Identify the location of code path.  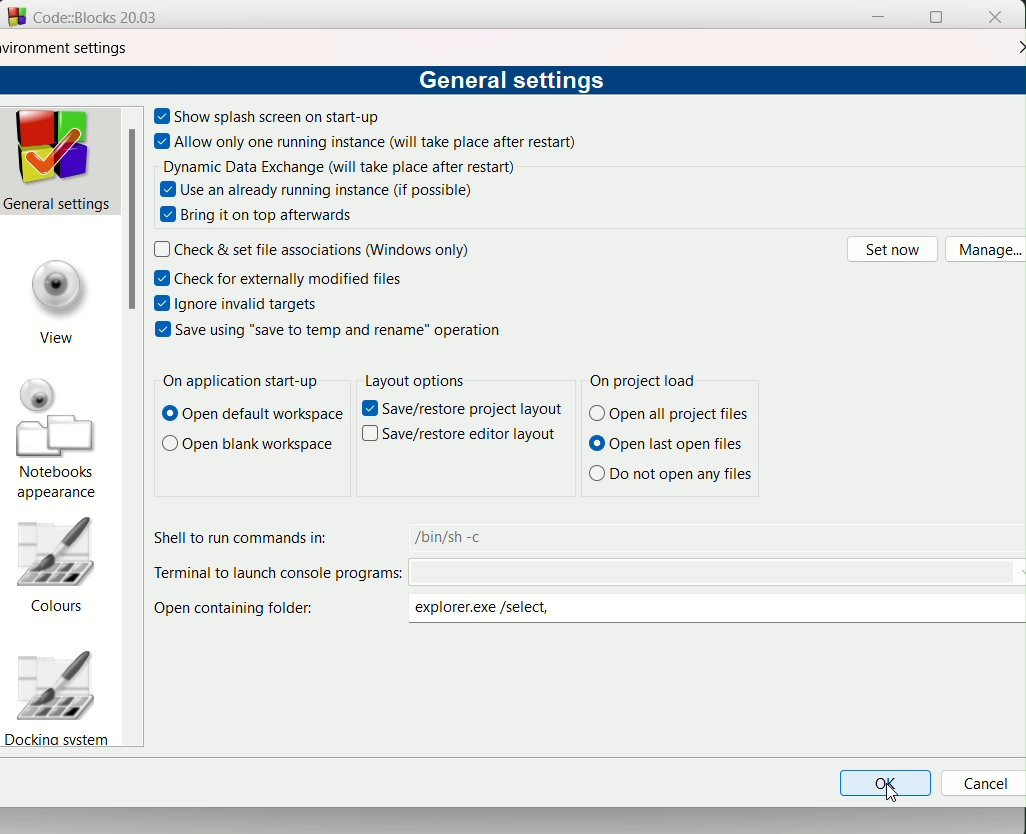
(717, 574).